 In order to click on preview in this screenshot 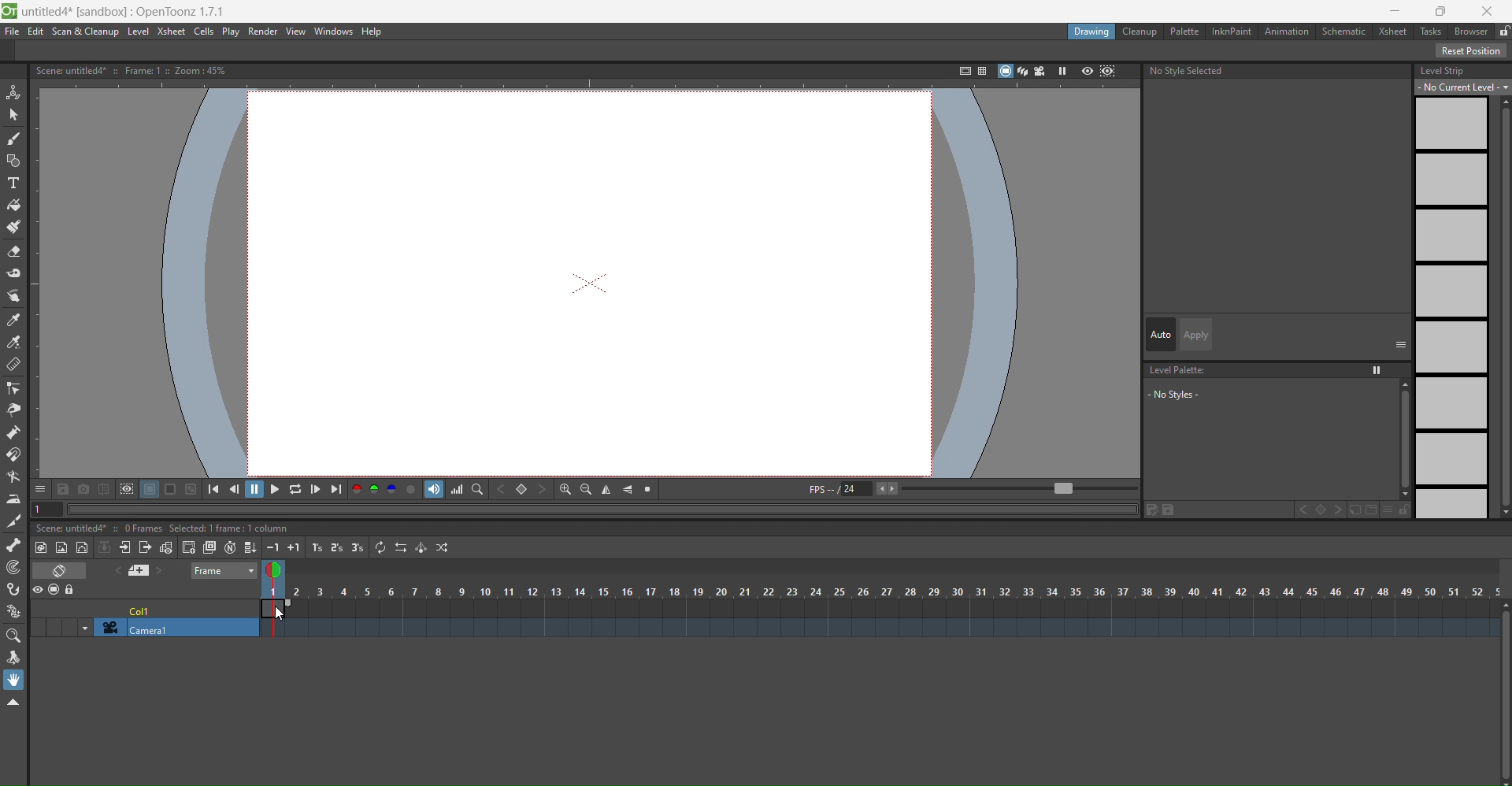, I will do `click(1087, 72)`.